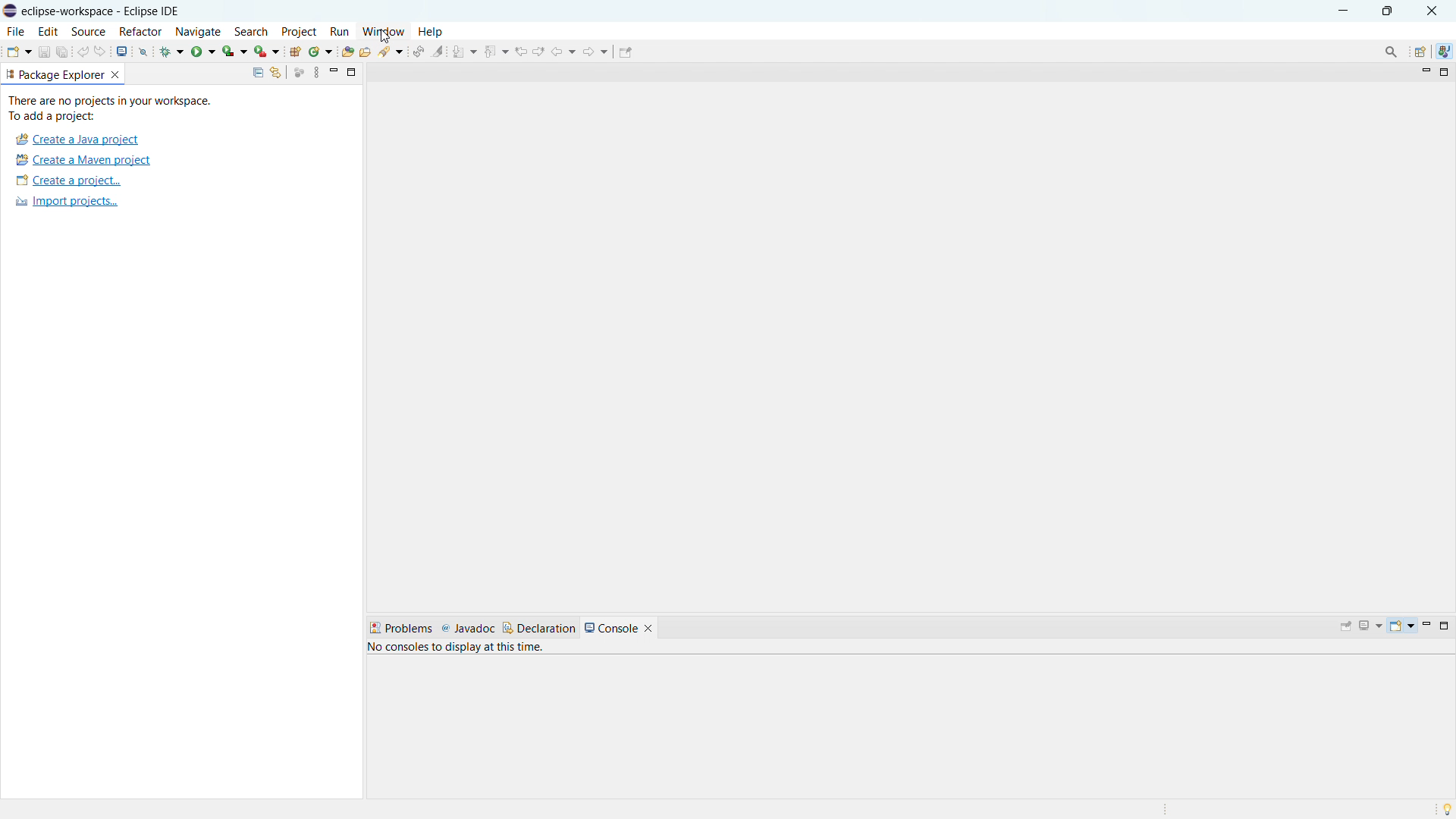 This screenshot has height=819, width=1456. Describe the element at coordinates (1426, 69) in the screenshot. I see `minimize` at that location.